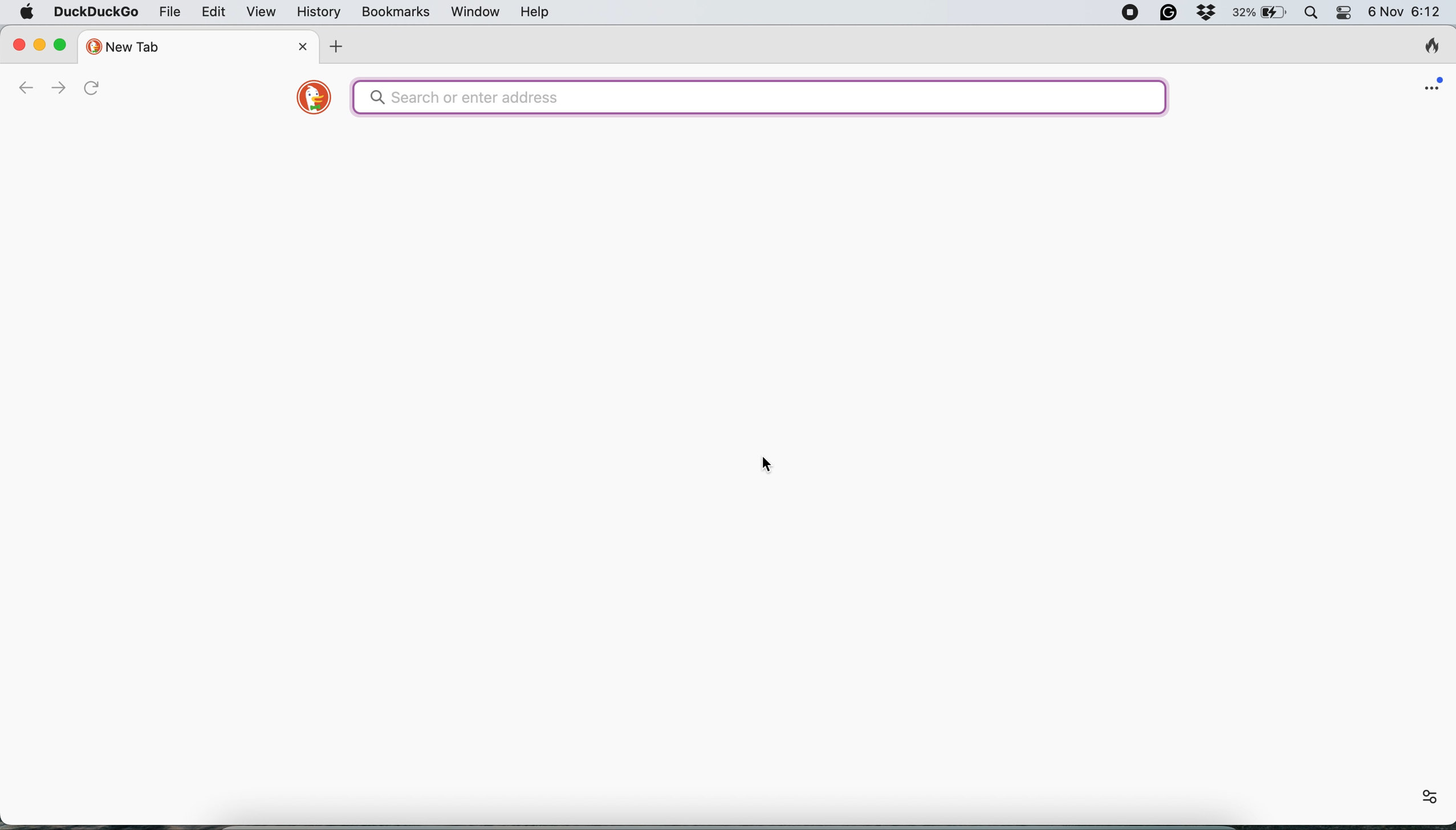 The height and width of the screenshot is (830, 1456). What do you see at coordinates (1434, 83) in the screenshot?
I see `open application menu` at bounding box center [1434, 83].